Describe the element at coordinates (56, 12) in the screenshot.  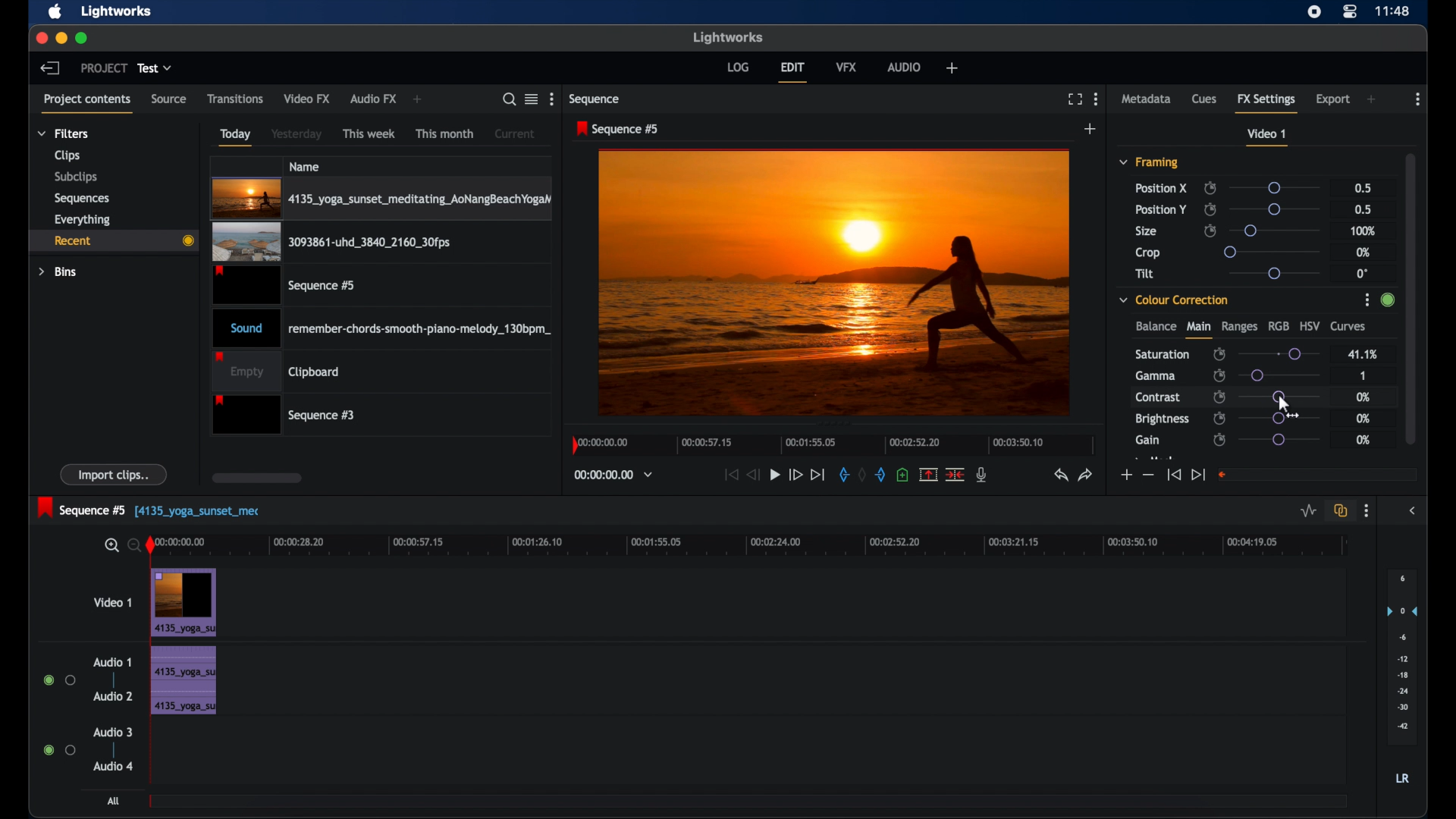
I see `apple icon` at that location.